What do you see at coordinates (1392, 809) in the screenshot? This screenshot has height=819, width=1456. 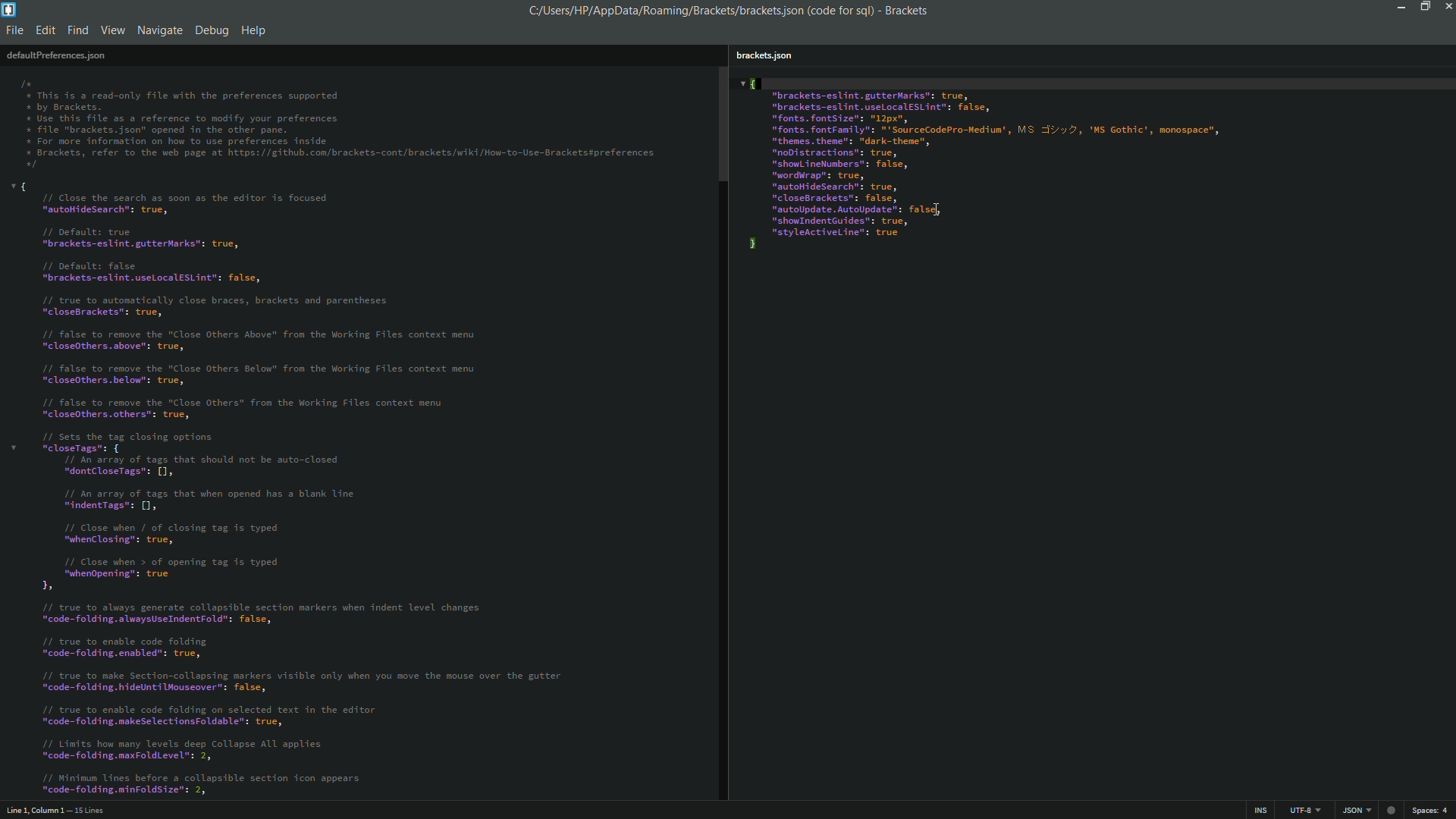 I see `record` at bounding box center [1392, 809].